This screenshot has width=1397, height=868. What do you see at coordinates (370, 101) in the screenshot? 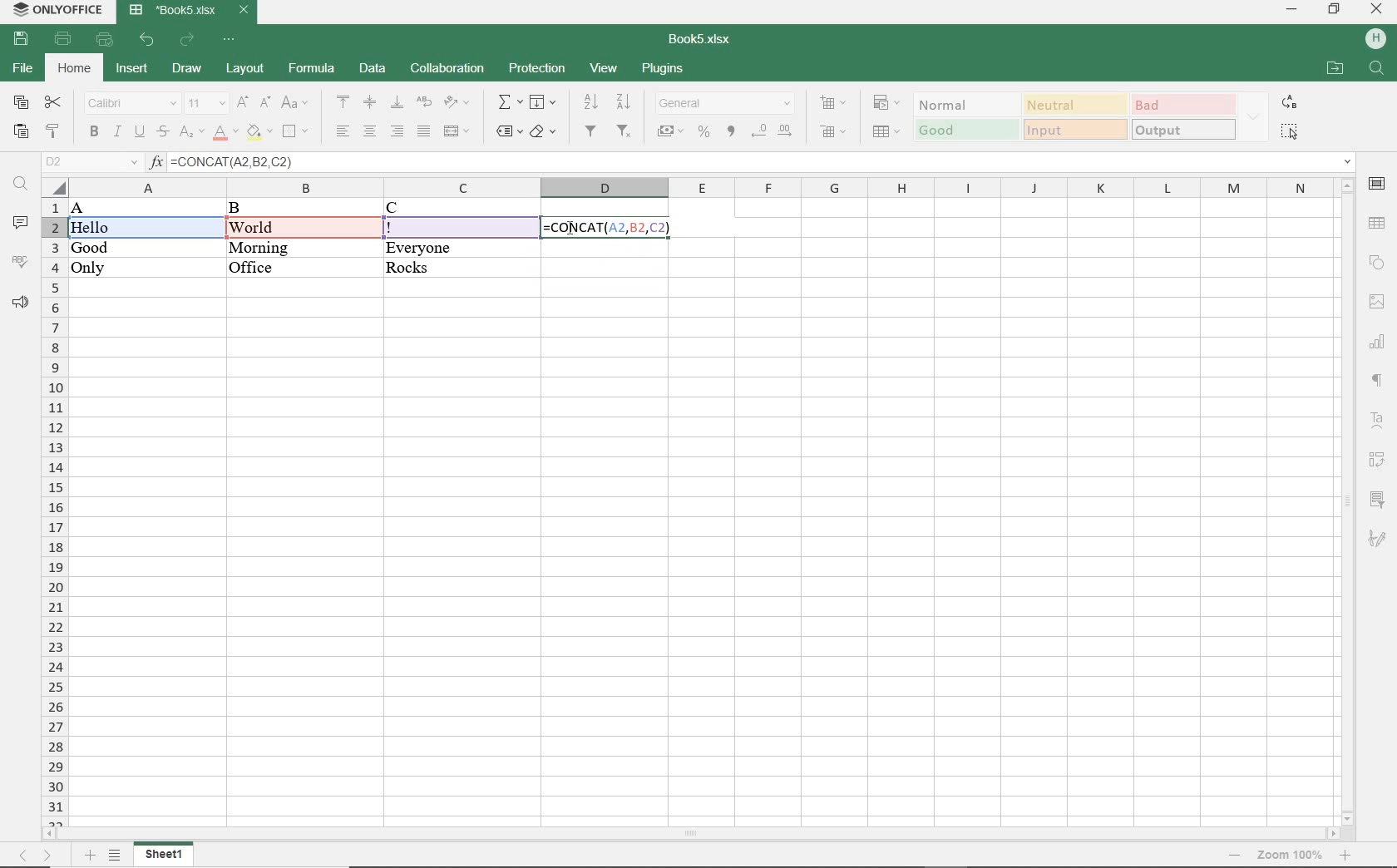
I see `ALIGN CENTER` at bounding box center [370, 101].